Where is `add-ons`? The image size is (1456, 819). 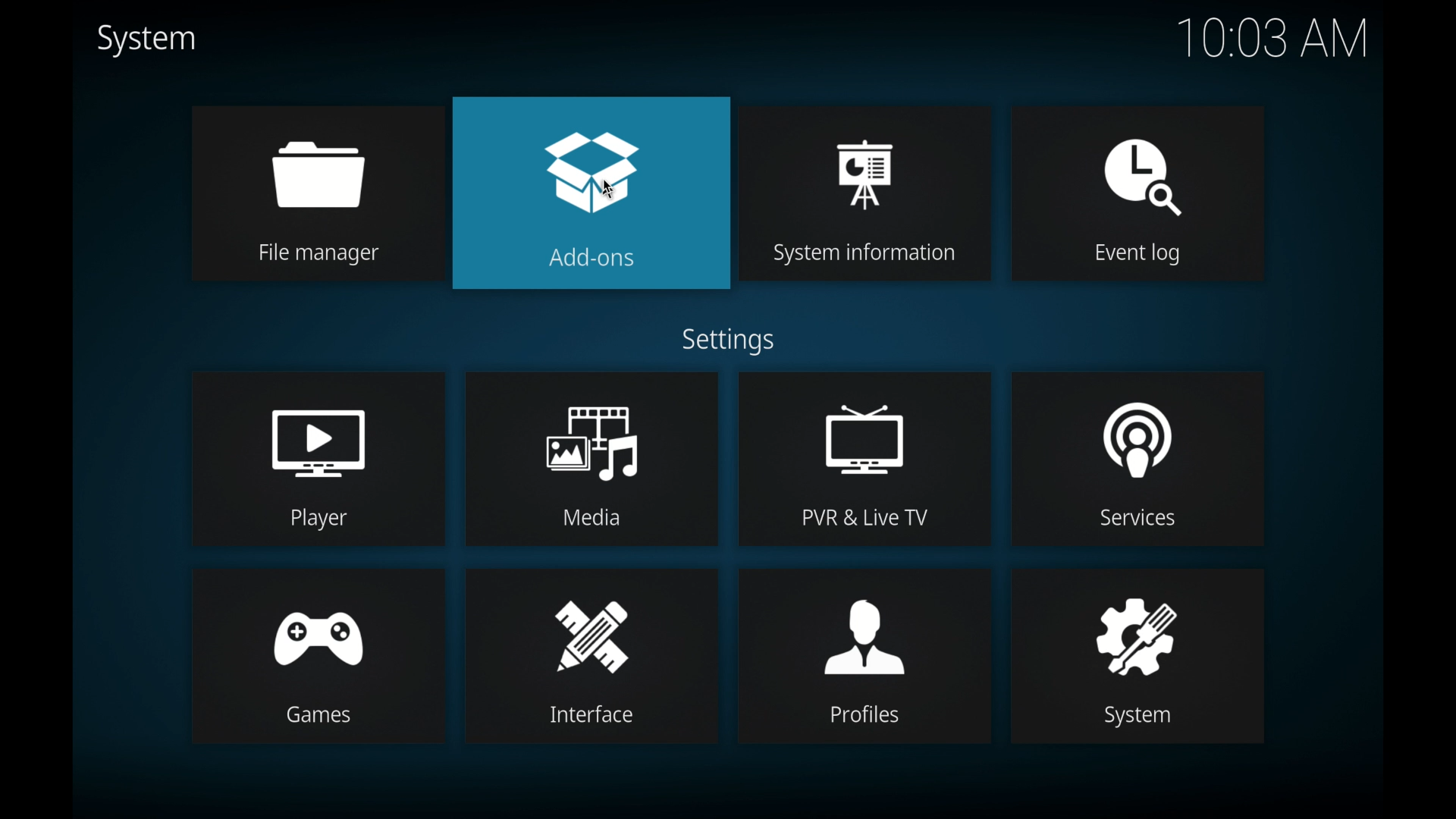
add-ons is located at coordinates (595, 196).